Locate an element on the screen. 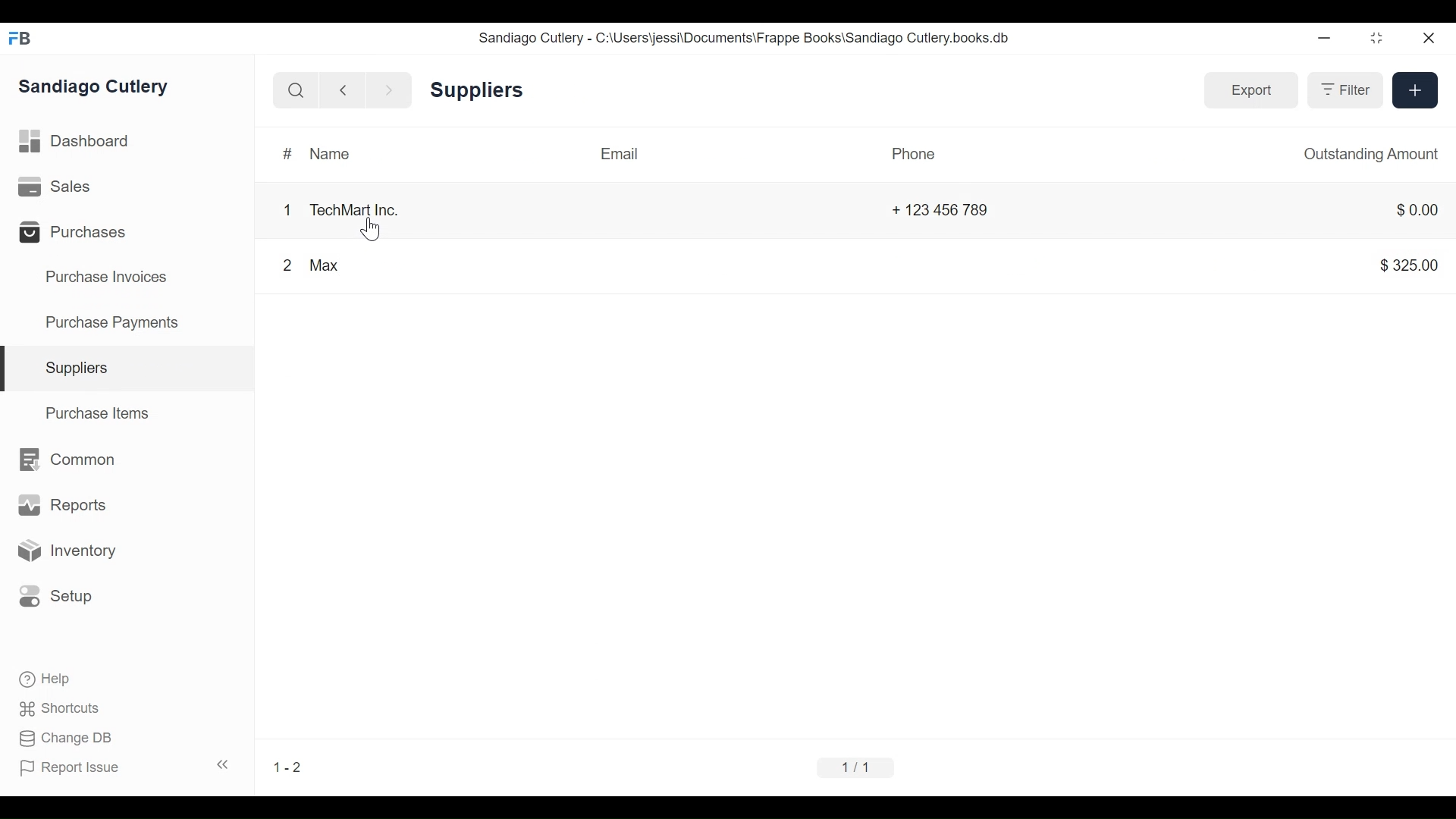 This screenshot has width=1456, height=819. Export is located at coordinates (1252, 91).